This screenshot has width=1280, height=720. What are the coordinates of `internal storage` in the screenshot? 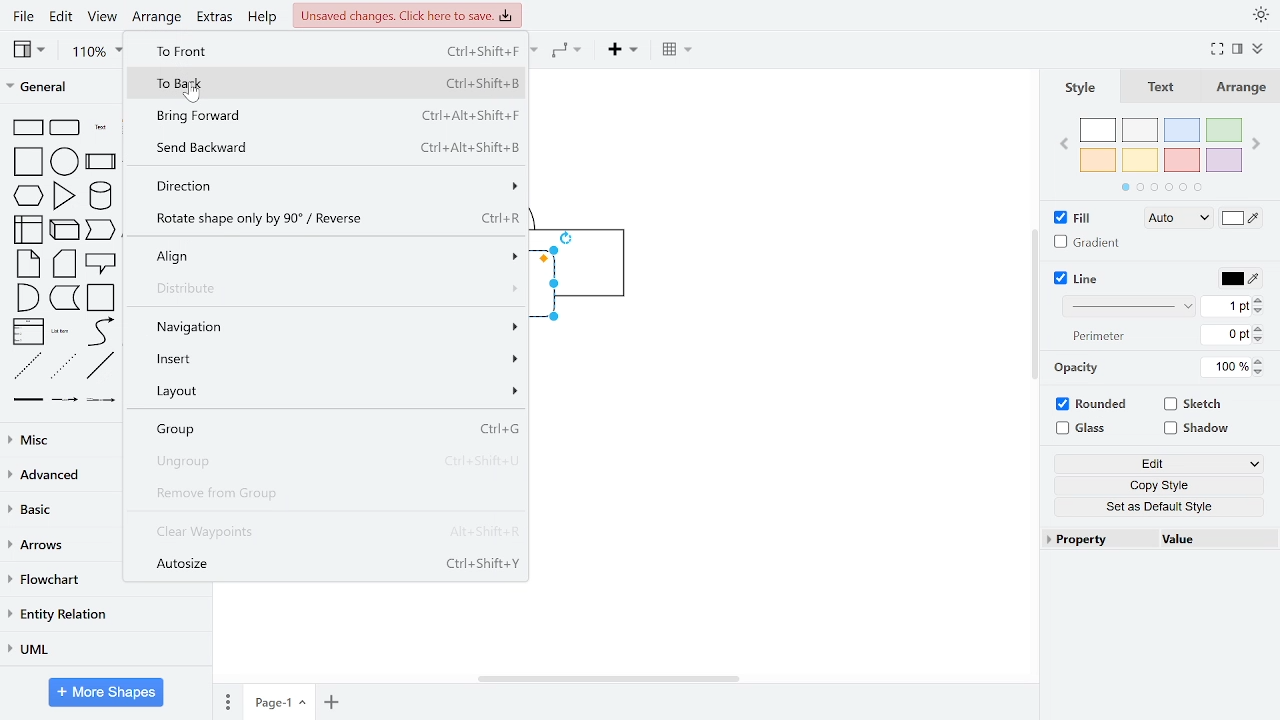 It's located at (30, 230).